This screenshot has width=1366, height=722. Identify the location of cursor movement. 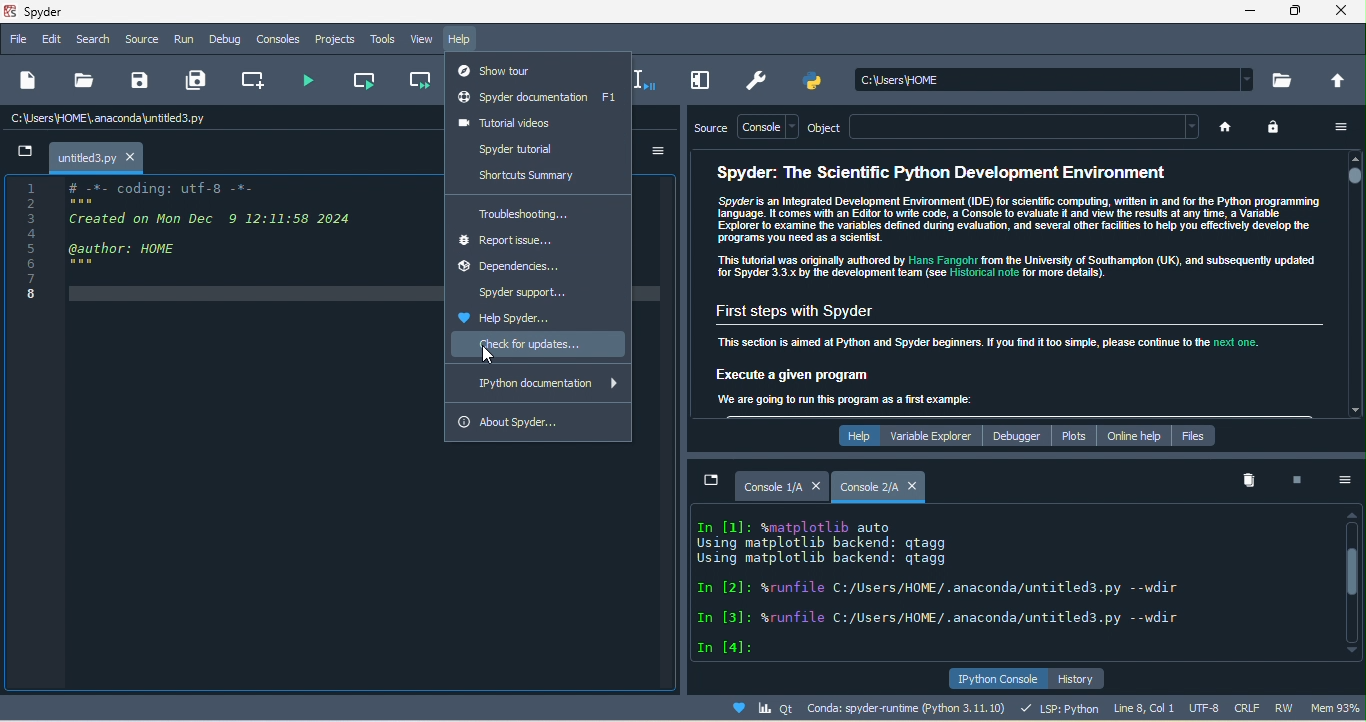
(495, 356).